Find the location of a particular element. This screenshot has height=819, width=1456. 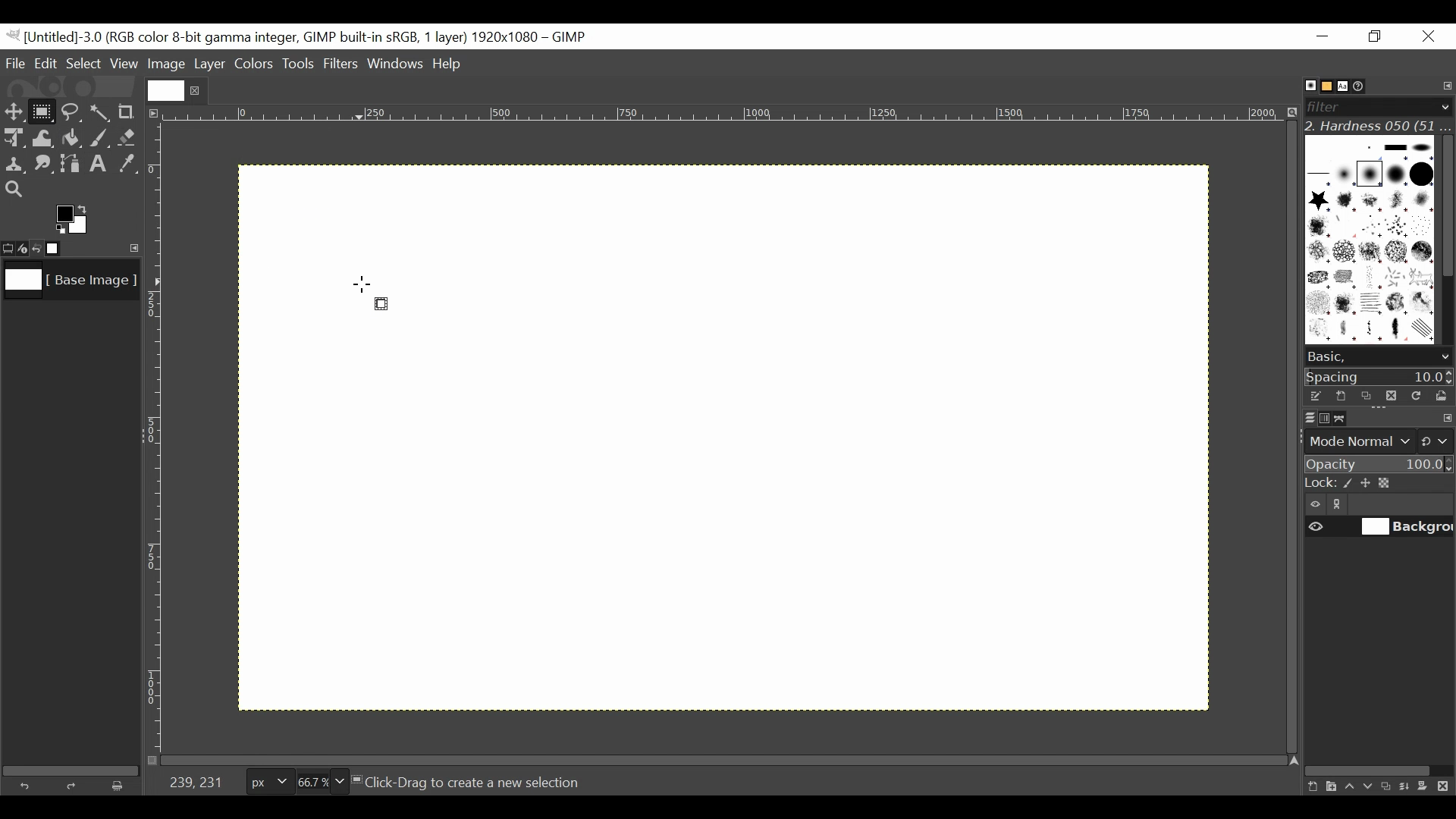

(un)select item visibility background is located at coordinates (1379, 529).